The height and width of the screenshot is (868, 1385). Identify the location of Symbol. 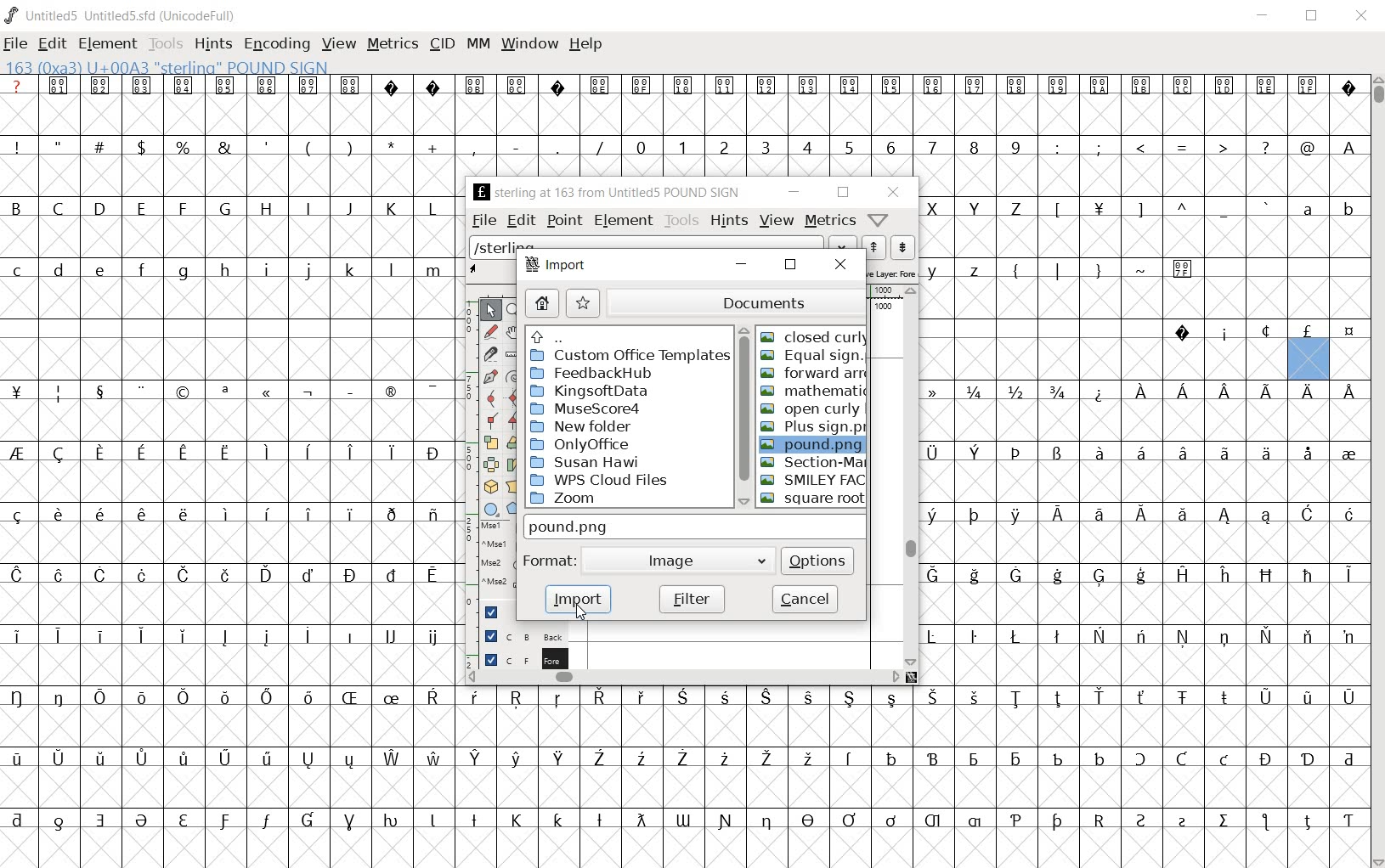
(98, 696).